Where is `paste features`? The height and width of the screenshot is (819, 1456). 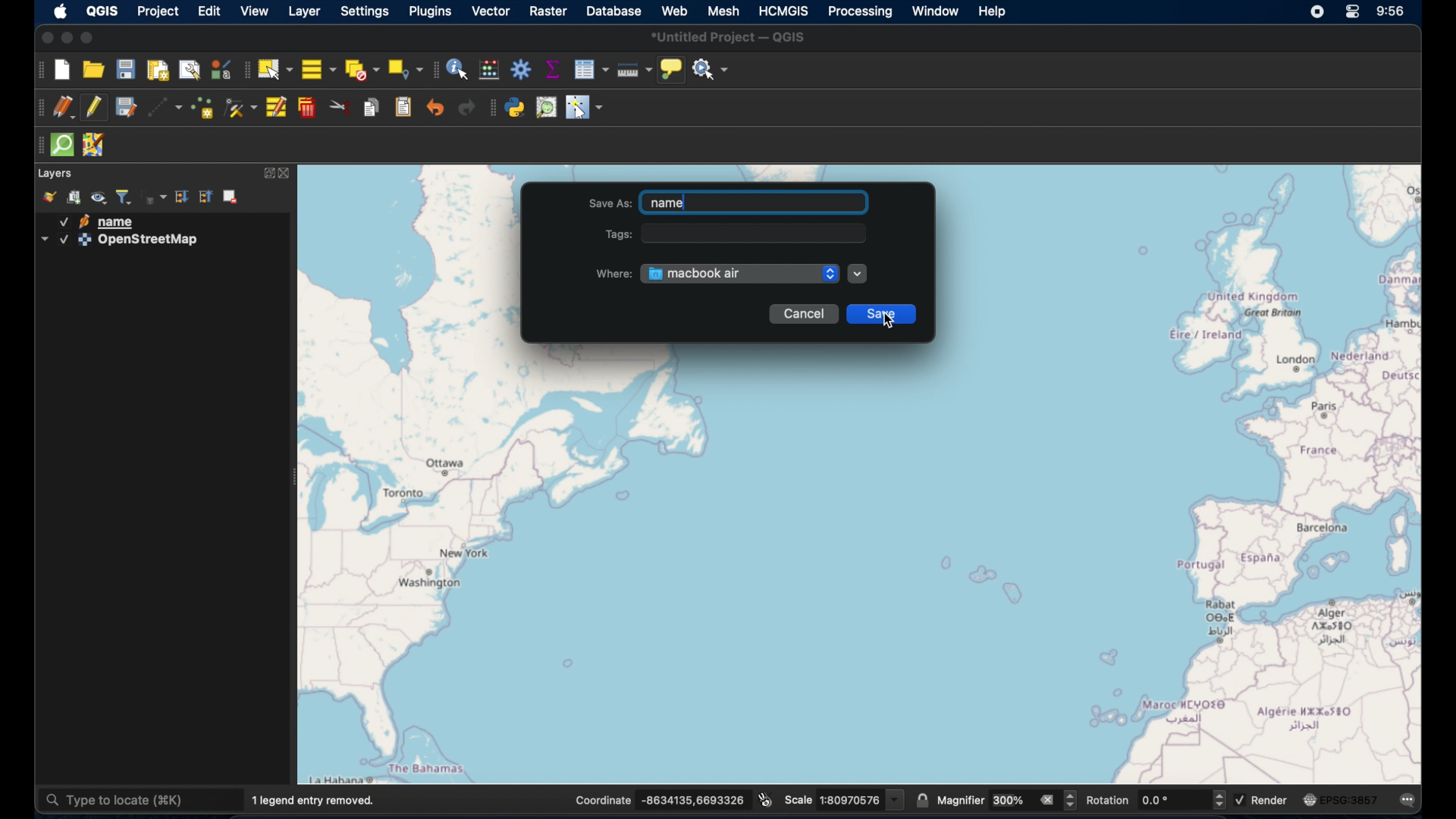
paste features is located at coordinates (404, 108).